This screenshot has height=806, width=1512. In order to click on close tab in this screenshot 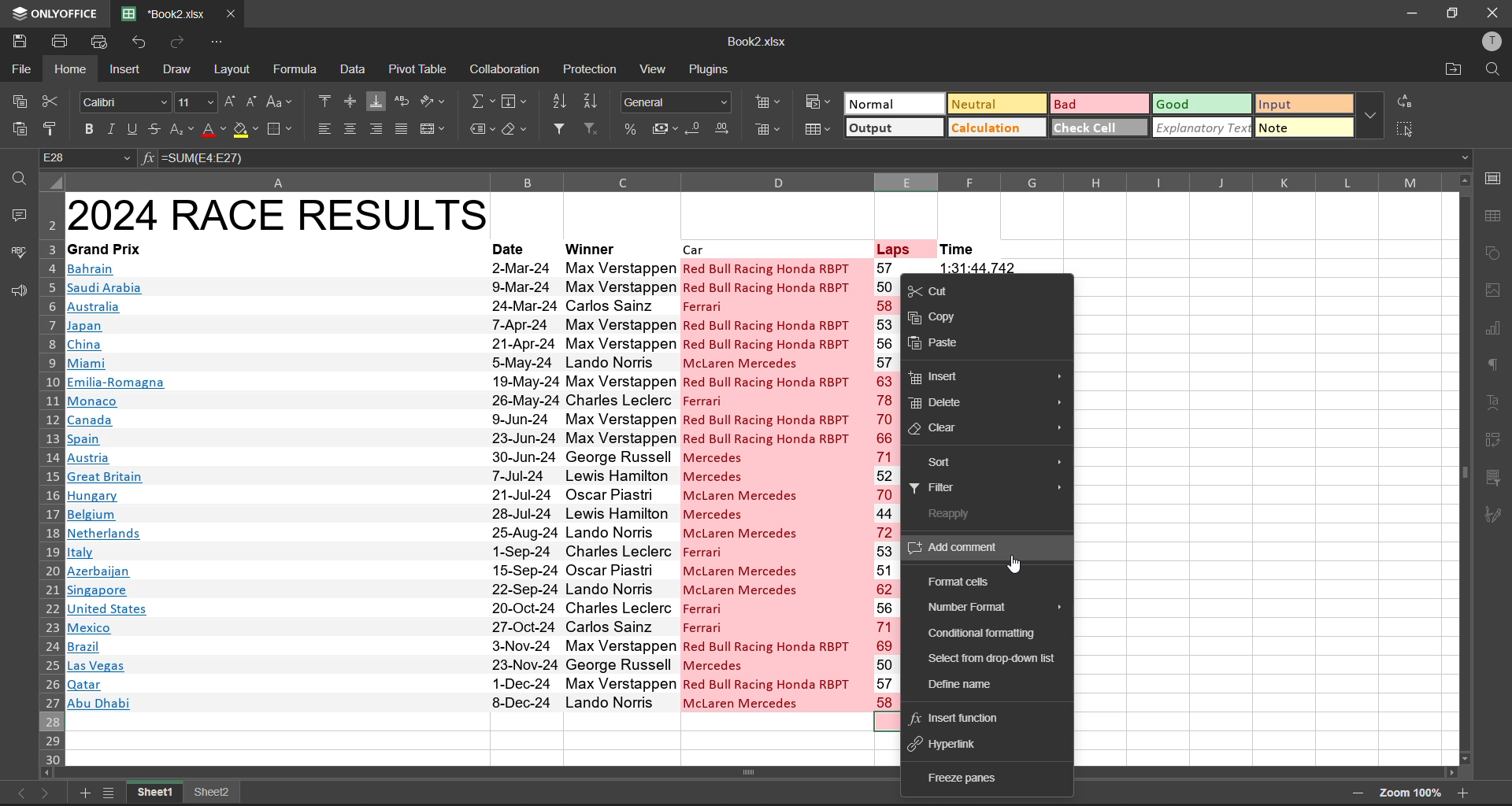, I will do `click(238, 13)`.